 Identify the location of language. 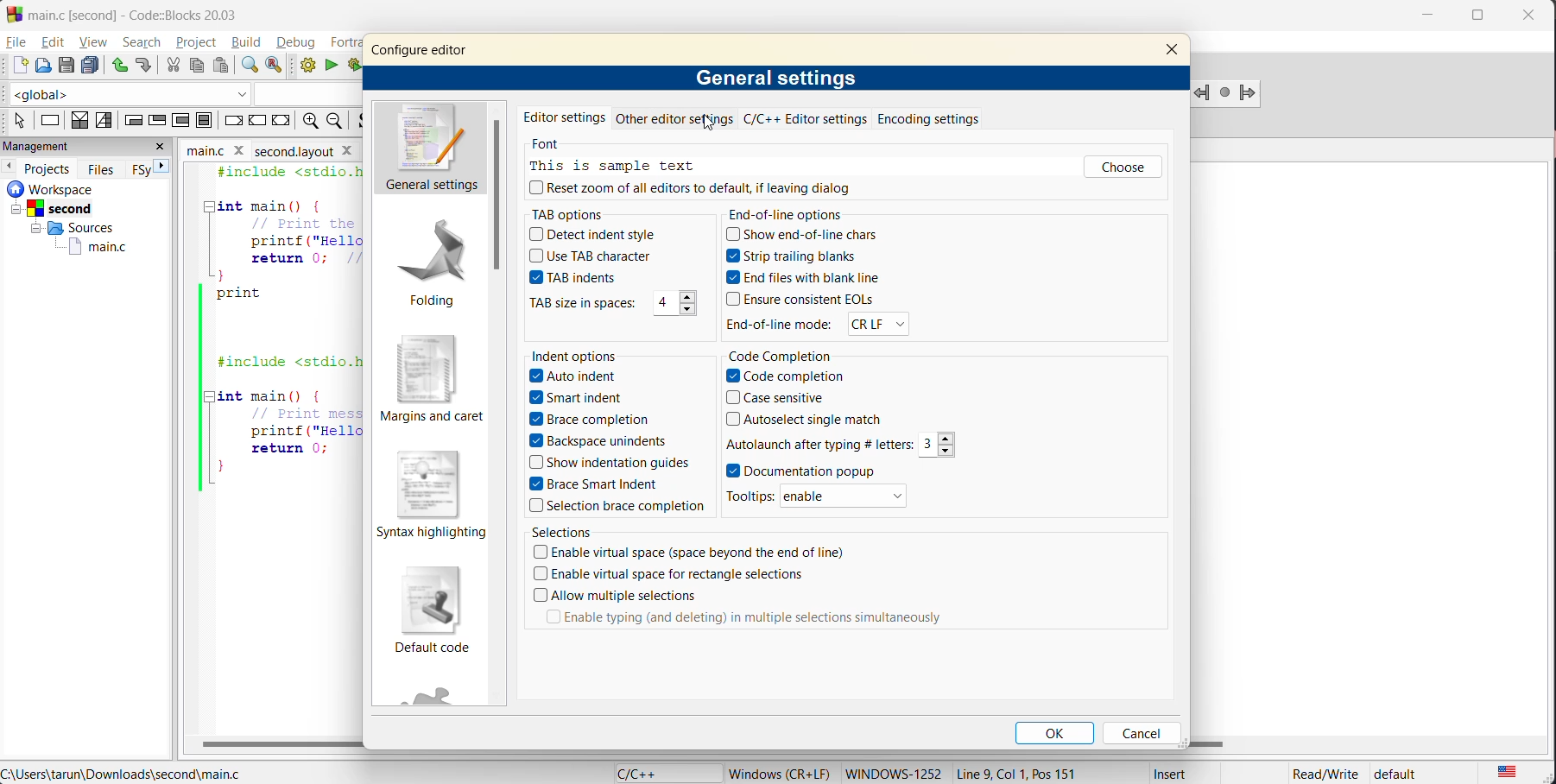
(663, 772).